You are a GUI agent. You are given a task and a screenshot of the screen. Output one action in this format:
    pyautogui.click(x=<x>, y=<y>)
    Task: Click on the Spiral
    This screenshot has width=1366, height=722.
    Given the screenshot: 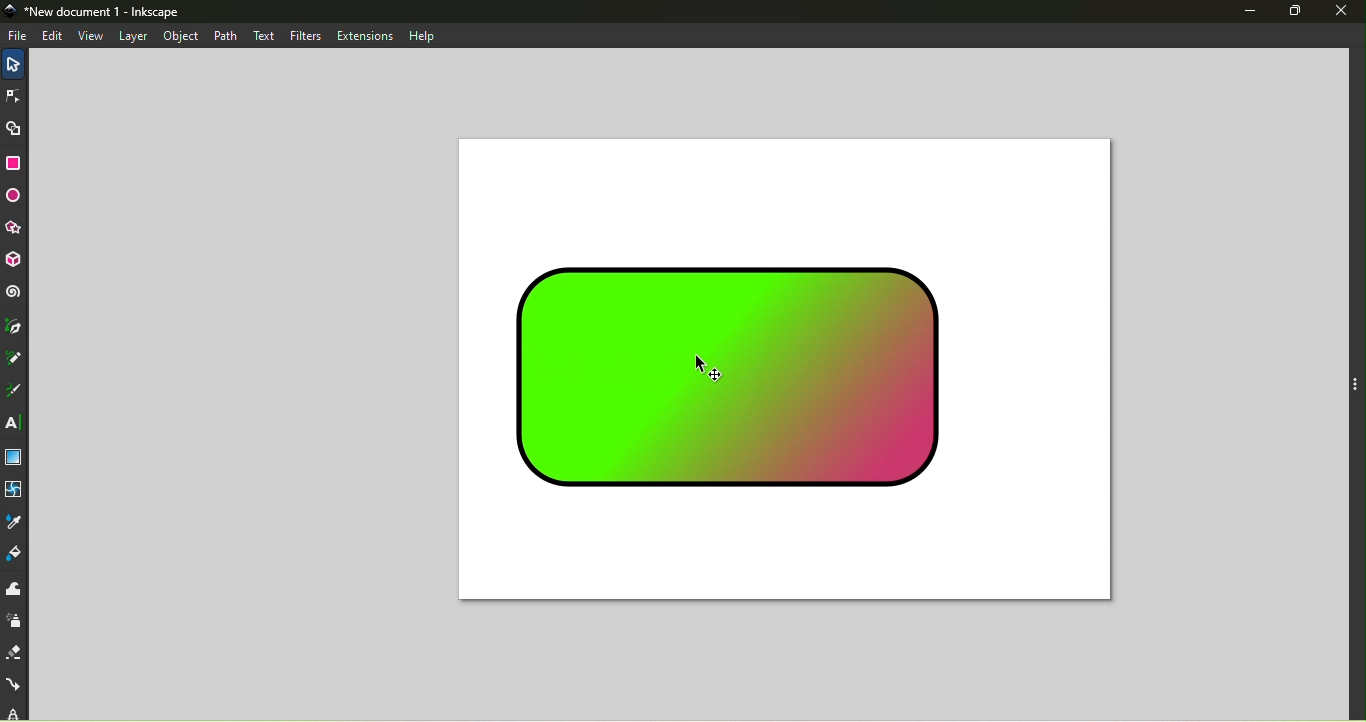 What is the action you would take?
    pyautogui.click(x=16, y=293)
    